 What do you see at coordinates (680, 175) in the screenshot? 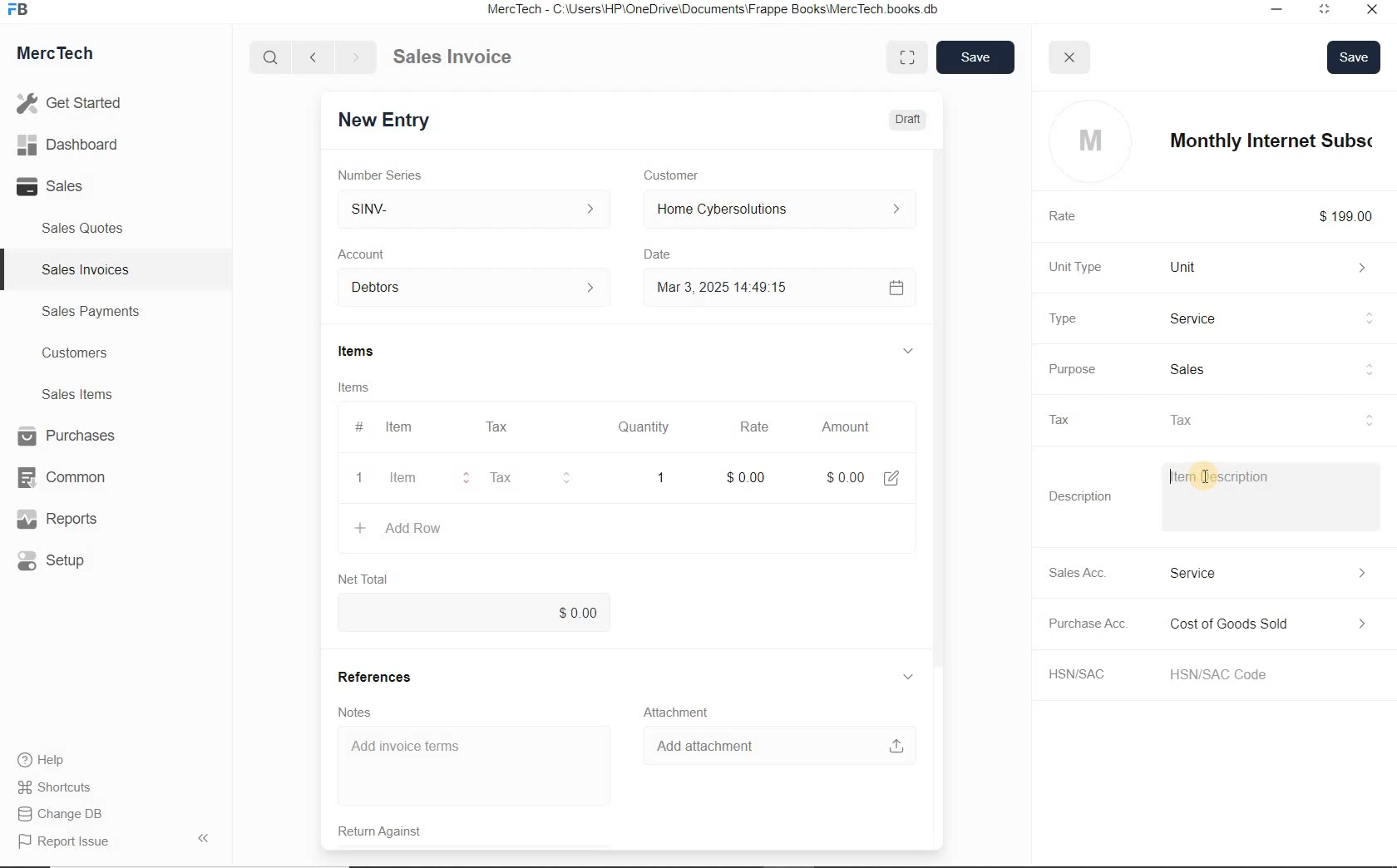
I see `Customer` at bounding box center [680, 175].